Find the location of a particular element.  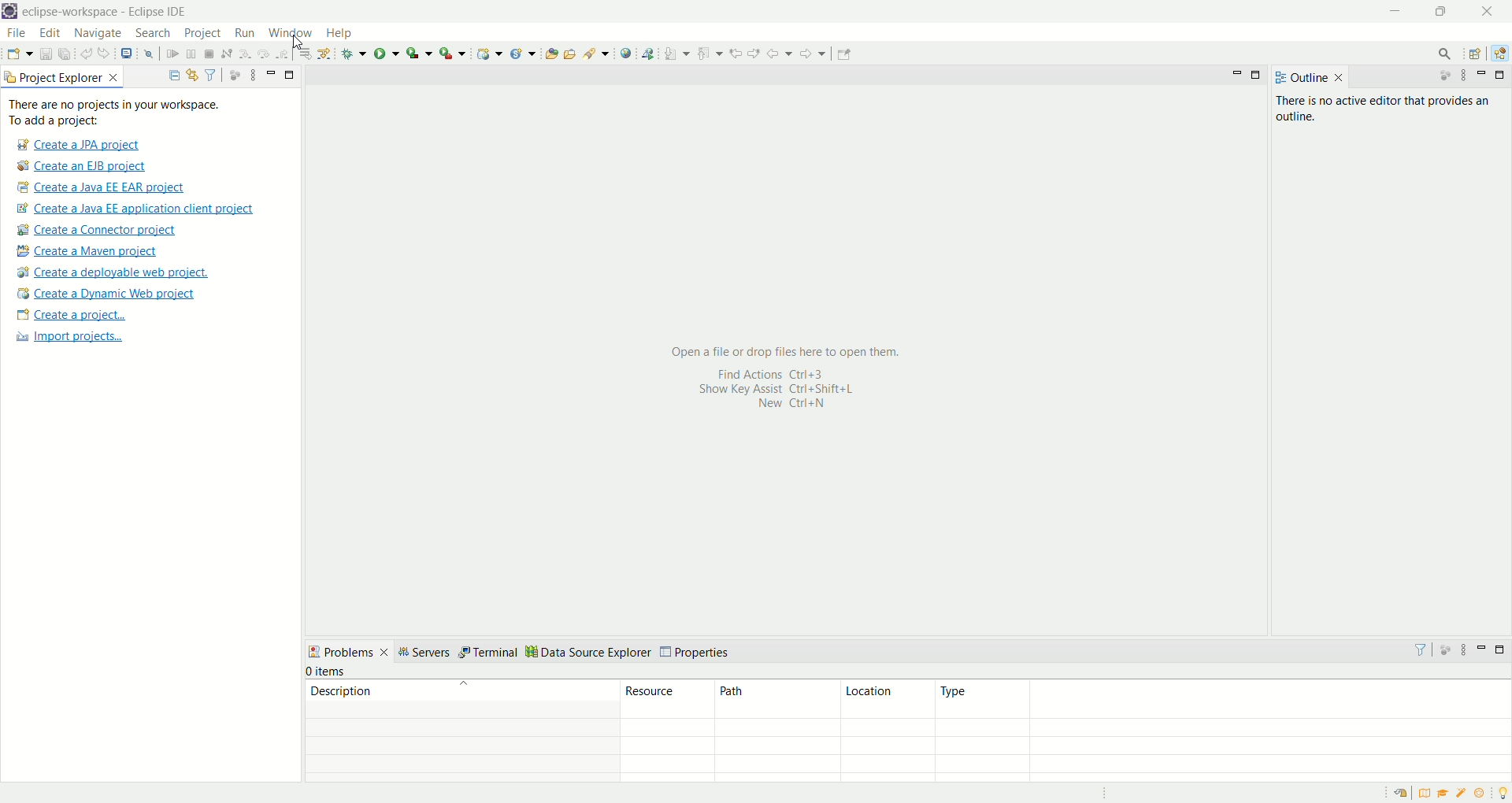

focus on active task is located at coordinates (1444, 649).